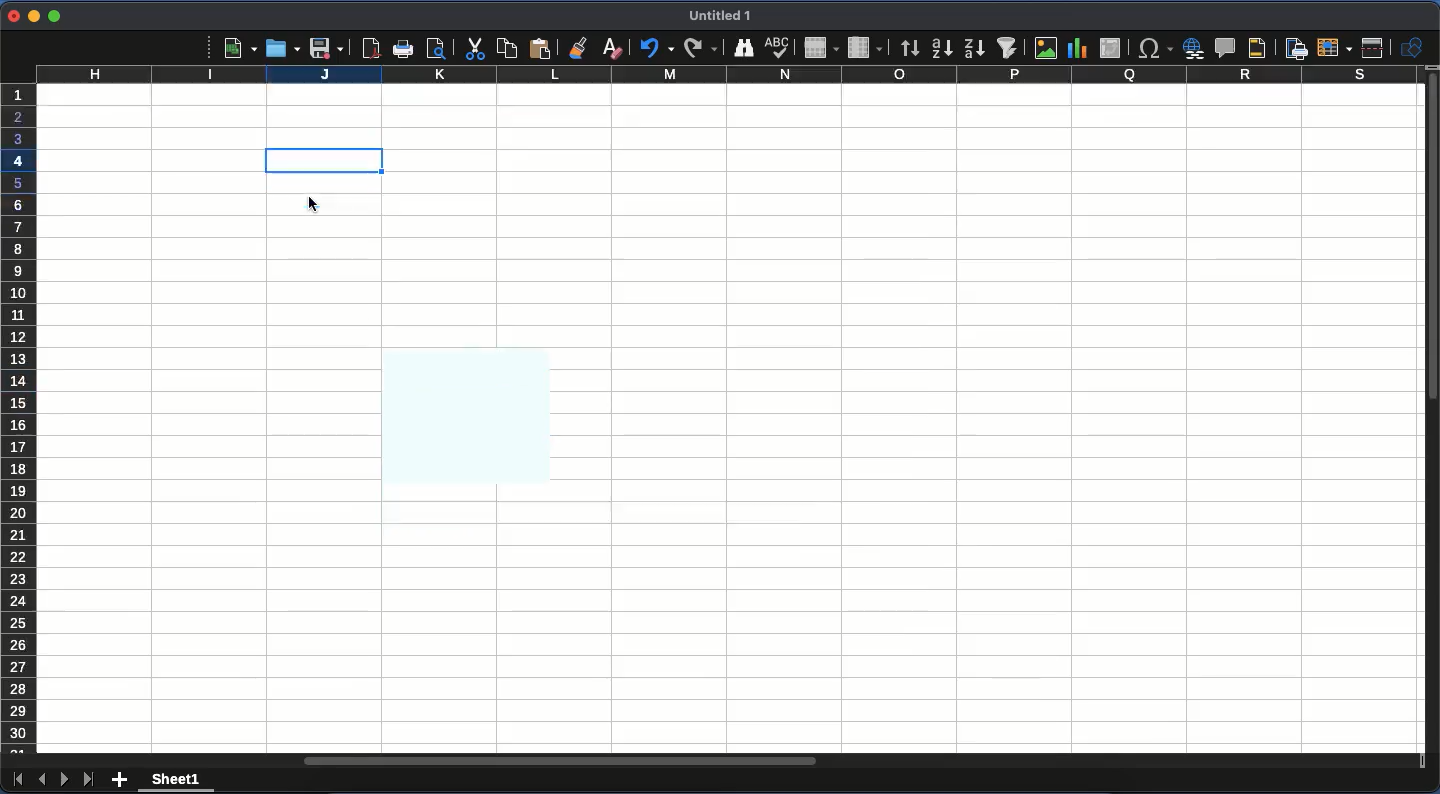 This screenshot has width=1440, height=794. I want to click on chart, so click(1081, 49).